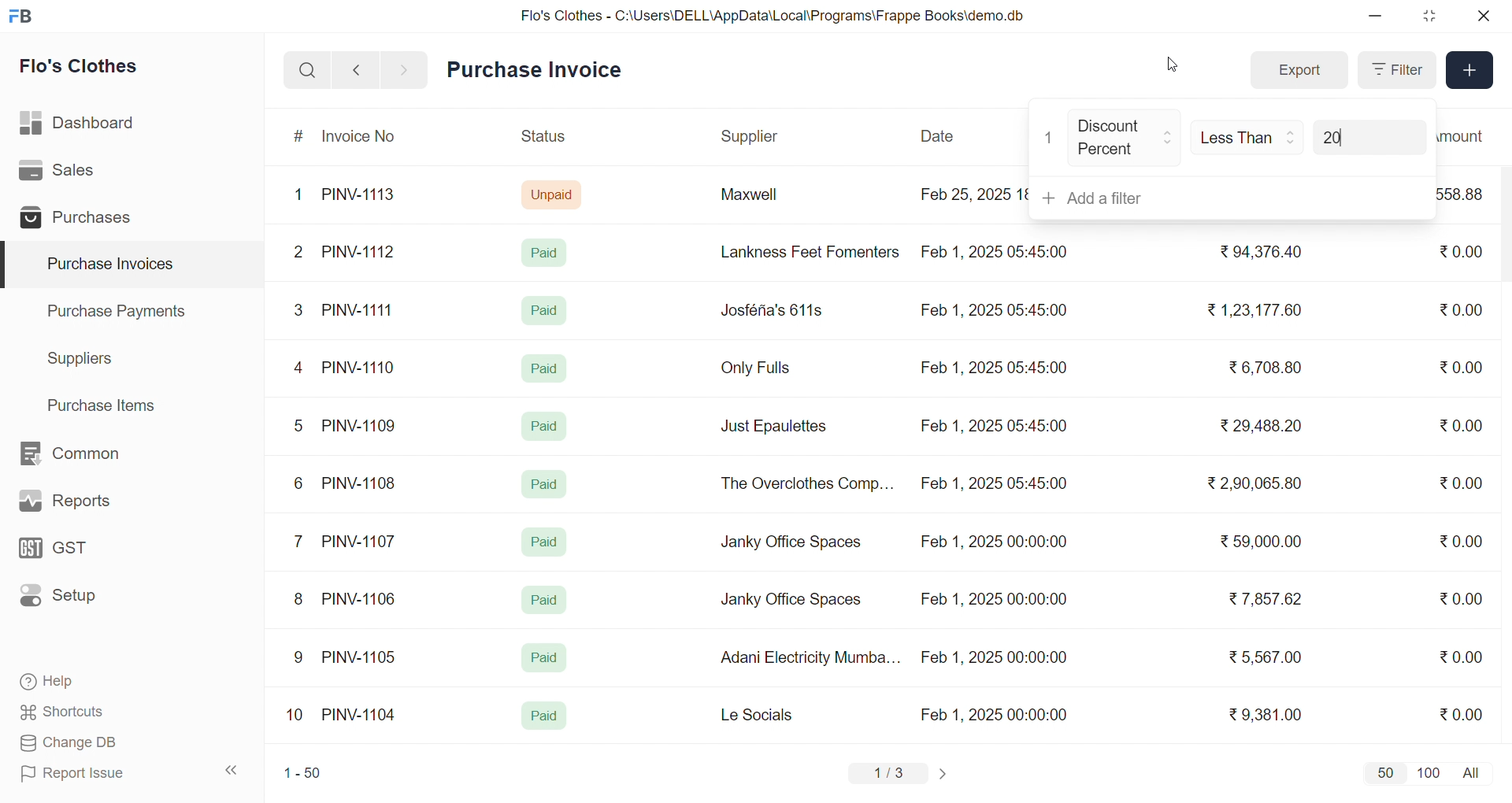 The height and width of the screenshot is (803, 1512). Describe the element at coordinates (361, 715) in the screenshot. I see `PINV-1104` at that location.